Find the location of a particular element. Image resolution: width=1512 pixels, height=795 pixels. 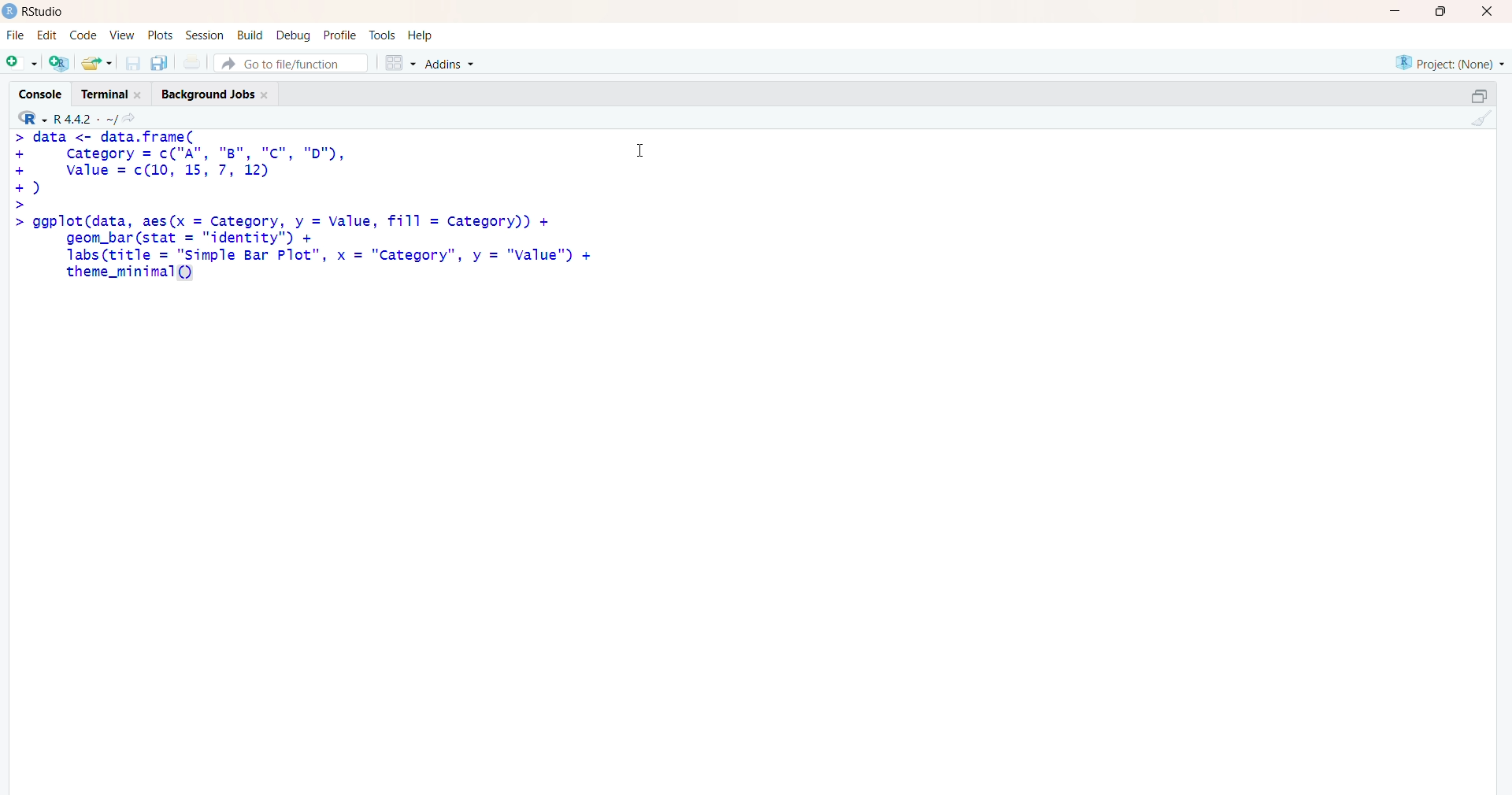

profile is located at coordinates (339, 36).